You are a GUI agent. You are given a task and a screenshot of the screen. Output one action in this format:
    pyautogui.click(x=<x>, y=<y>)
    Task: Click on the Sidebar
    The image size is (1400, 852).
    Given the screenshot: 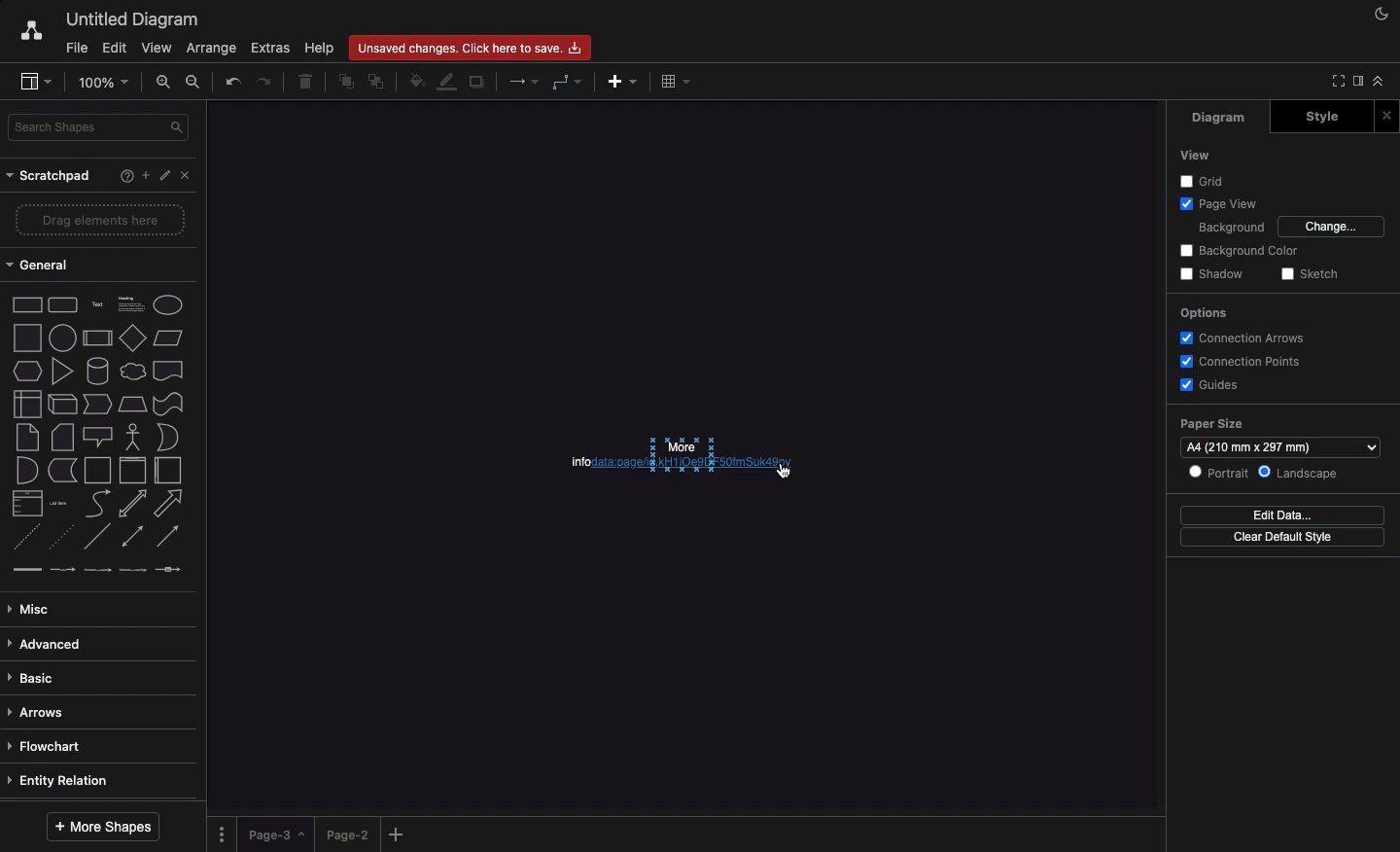 What is the action you would take?
    pyautogui.click(x=31, y=80)
    